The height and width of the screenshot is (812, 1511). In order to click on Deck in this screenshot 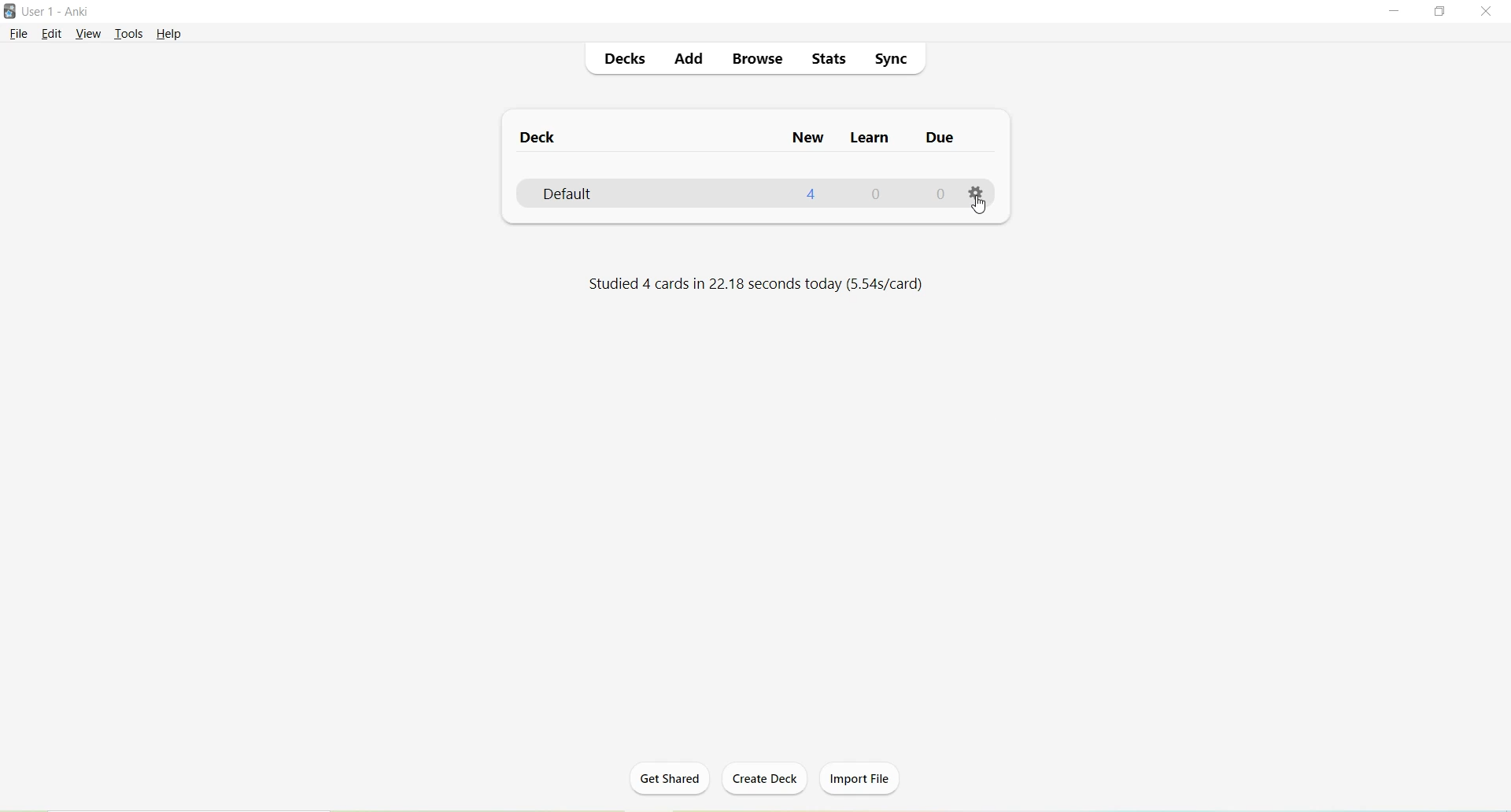, I will do `click(538, 140)`.